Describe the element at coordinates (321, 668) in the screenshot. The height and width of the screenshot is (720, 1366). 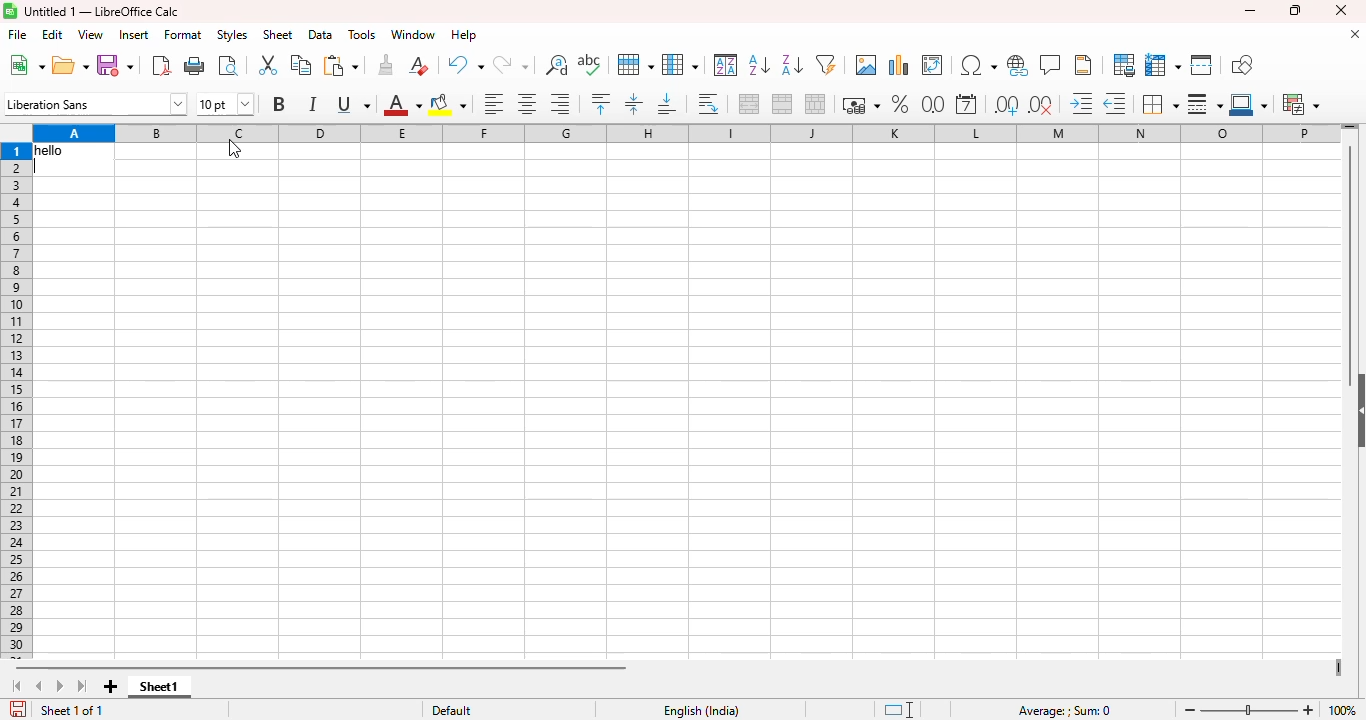
I see `horizontal scroll bar` at that location.